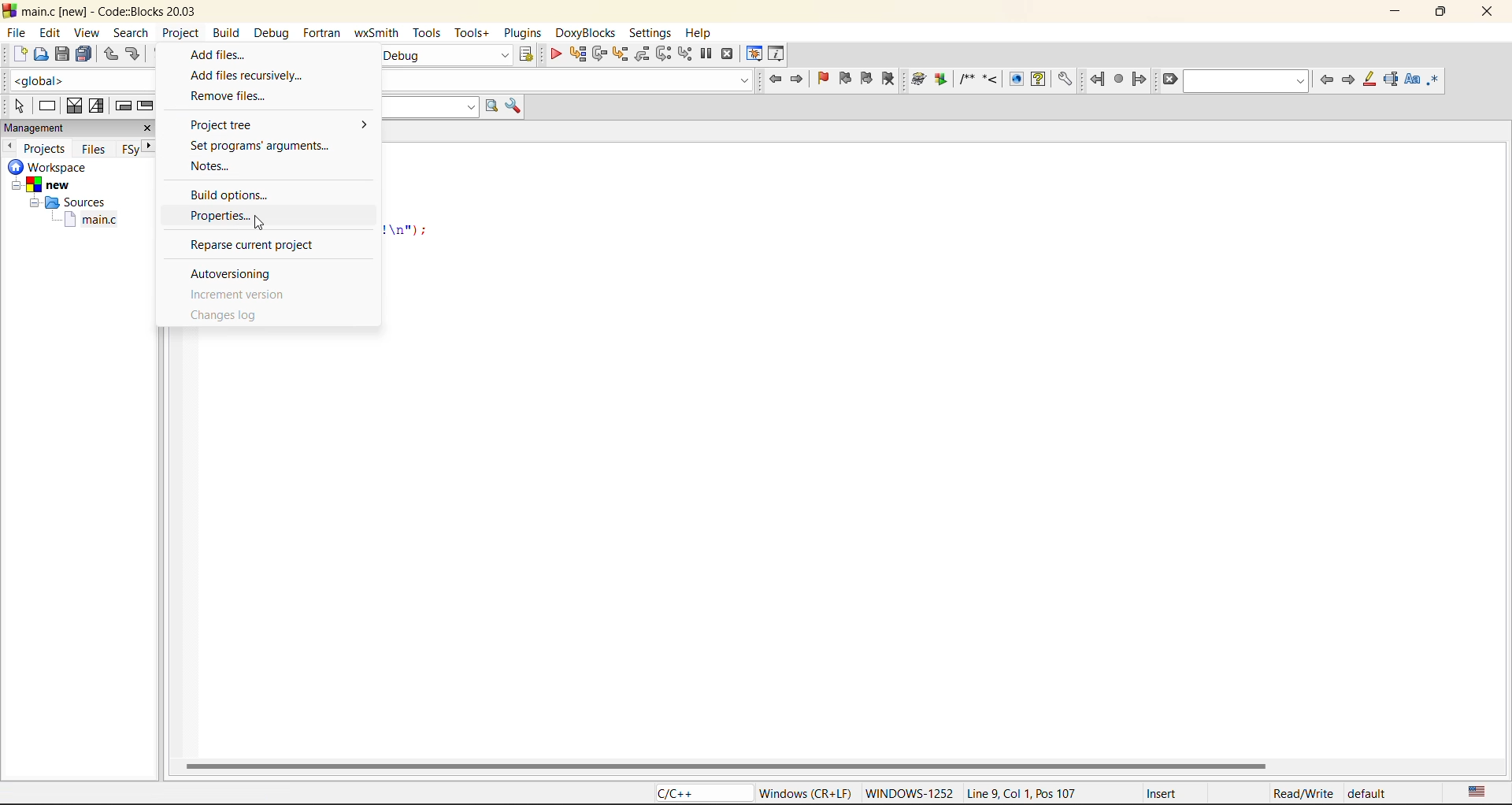 This screenshot has height=805, width=1512. Describe the element at coordinates (276, 35) in the screenshot. I see `debug` at that location.